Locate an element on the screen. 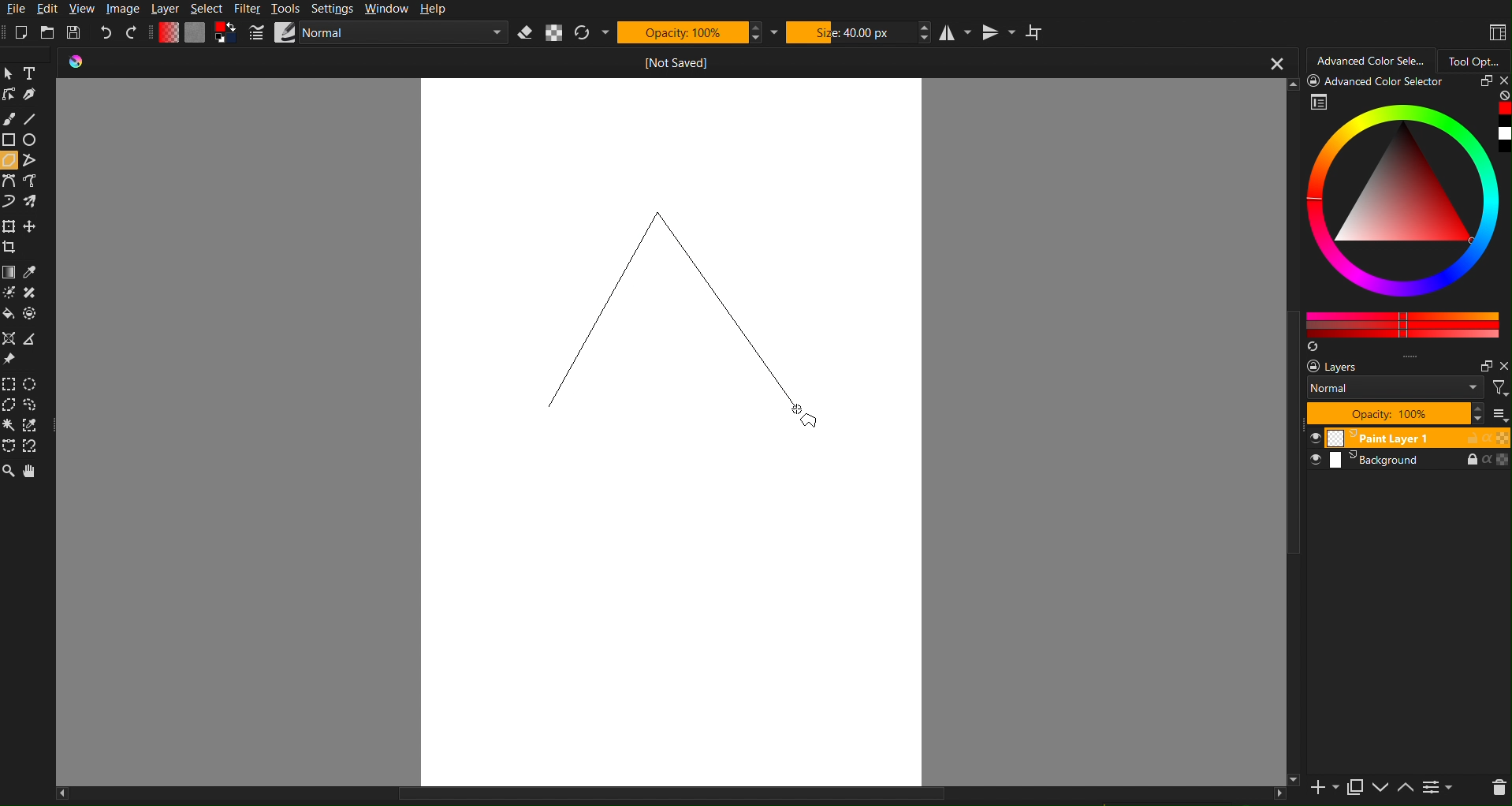  restore panel is located at coordinates (1484, 366).